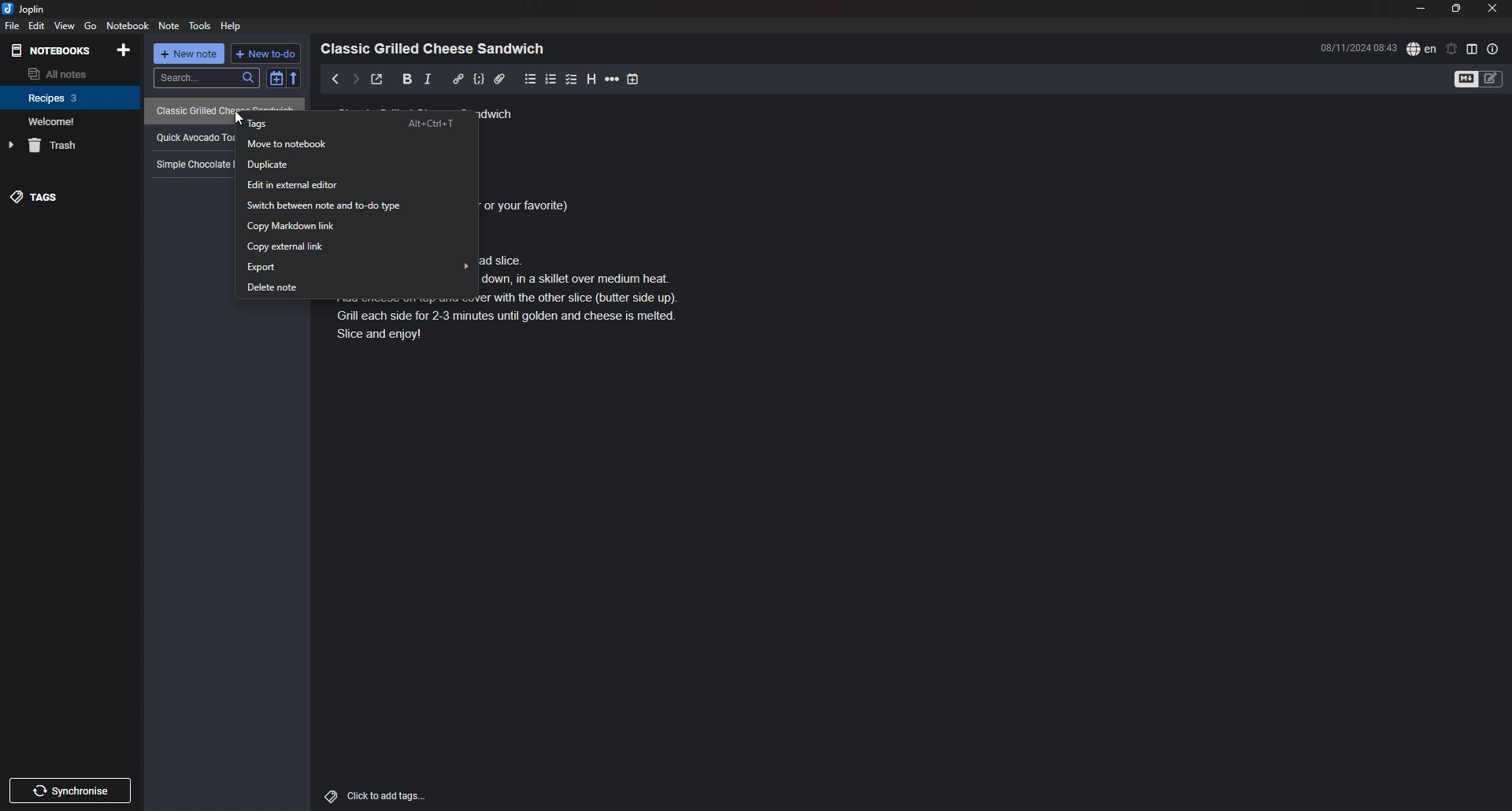 This screenshot has width=1512, height=811. I want to click on bullet list, so click(531, 79).